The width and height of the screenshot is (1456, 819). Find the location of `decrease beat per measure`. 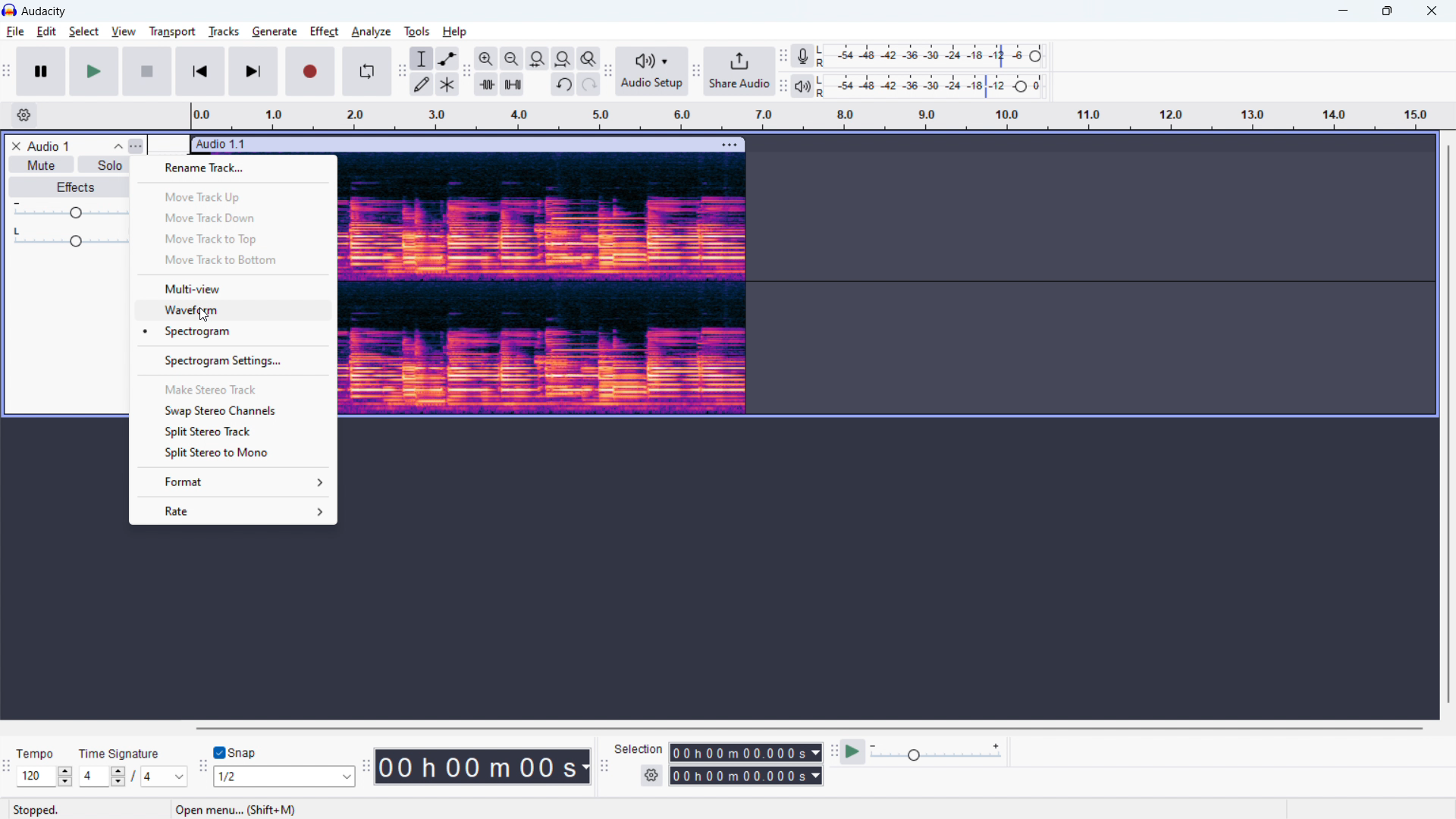

decrease beat per measure is located at coordinates (118, 783).